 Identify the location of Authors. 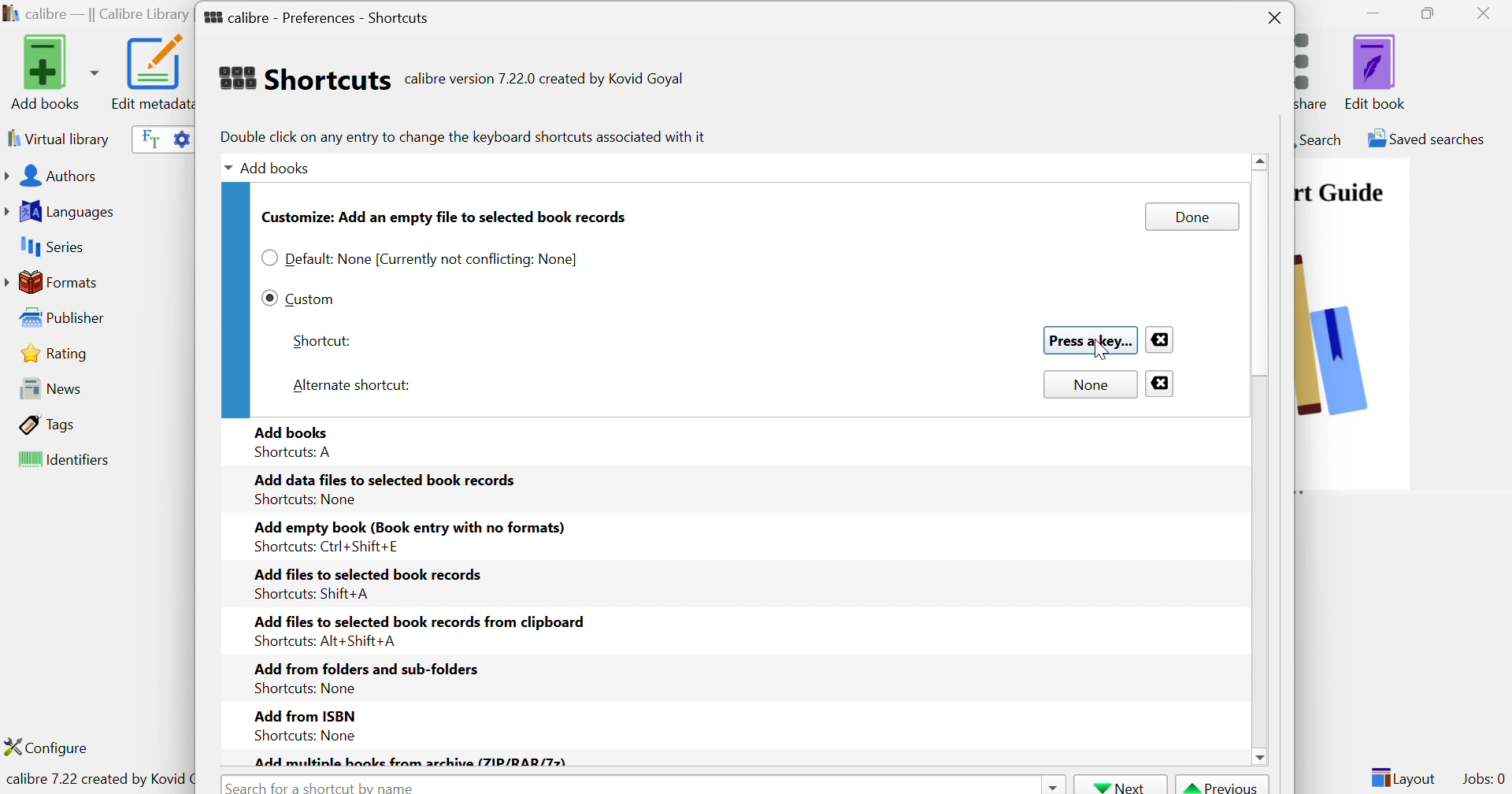
(54, 177).